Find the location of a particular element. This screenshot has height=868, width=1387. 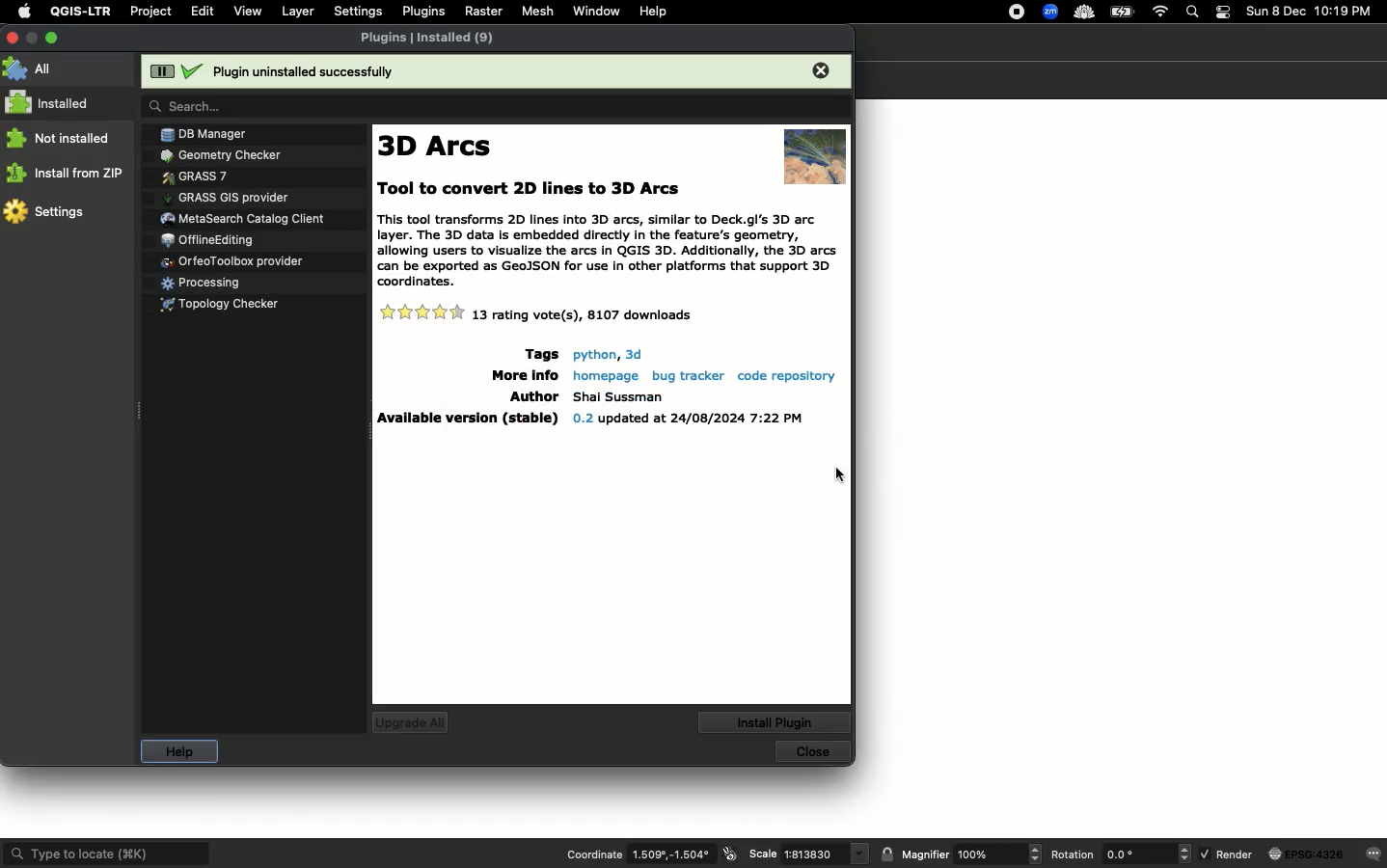

Plugins is located at coordinates (216, 133).